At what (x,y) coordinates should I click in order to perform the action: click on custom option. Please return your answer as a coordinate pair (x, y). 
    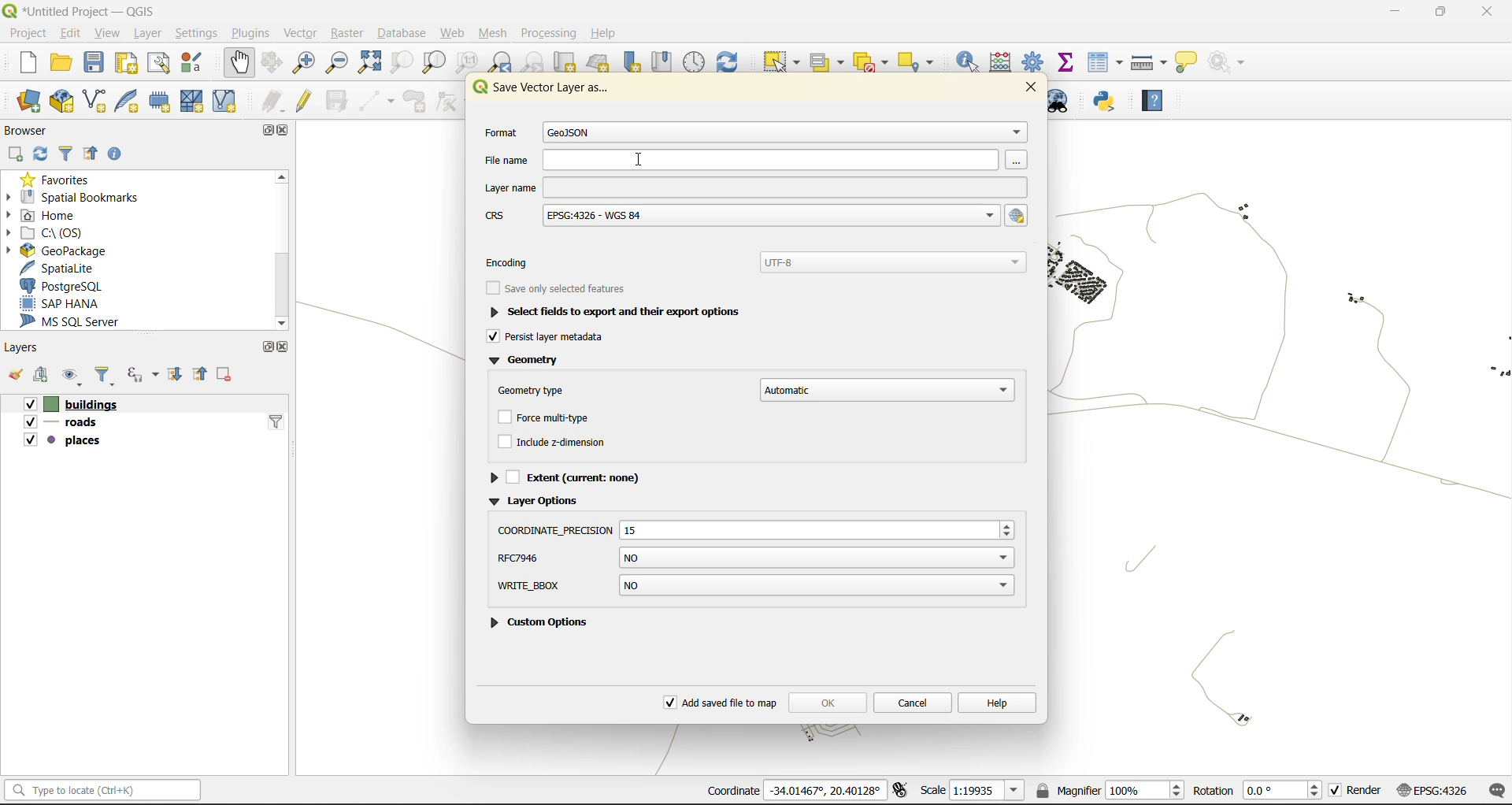
    Looking at the image, I should click on (547, 625).